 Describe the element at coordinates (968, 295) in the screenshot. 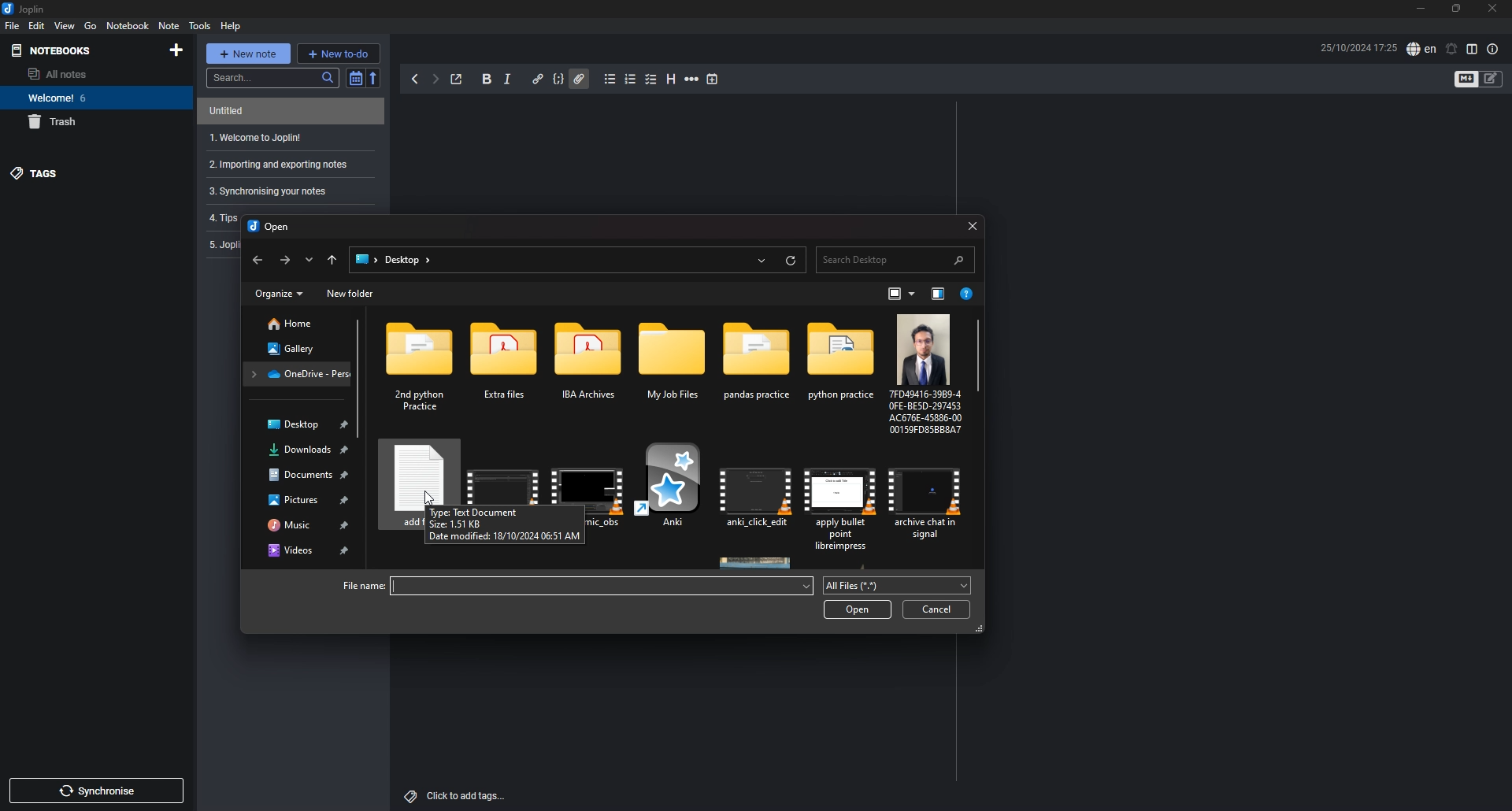

I see `get help` at that location.